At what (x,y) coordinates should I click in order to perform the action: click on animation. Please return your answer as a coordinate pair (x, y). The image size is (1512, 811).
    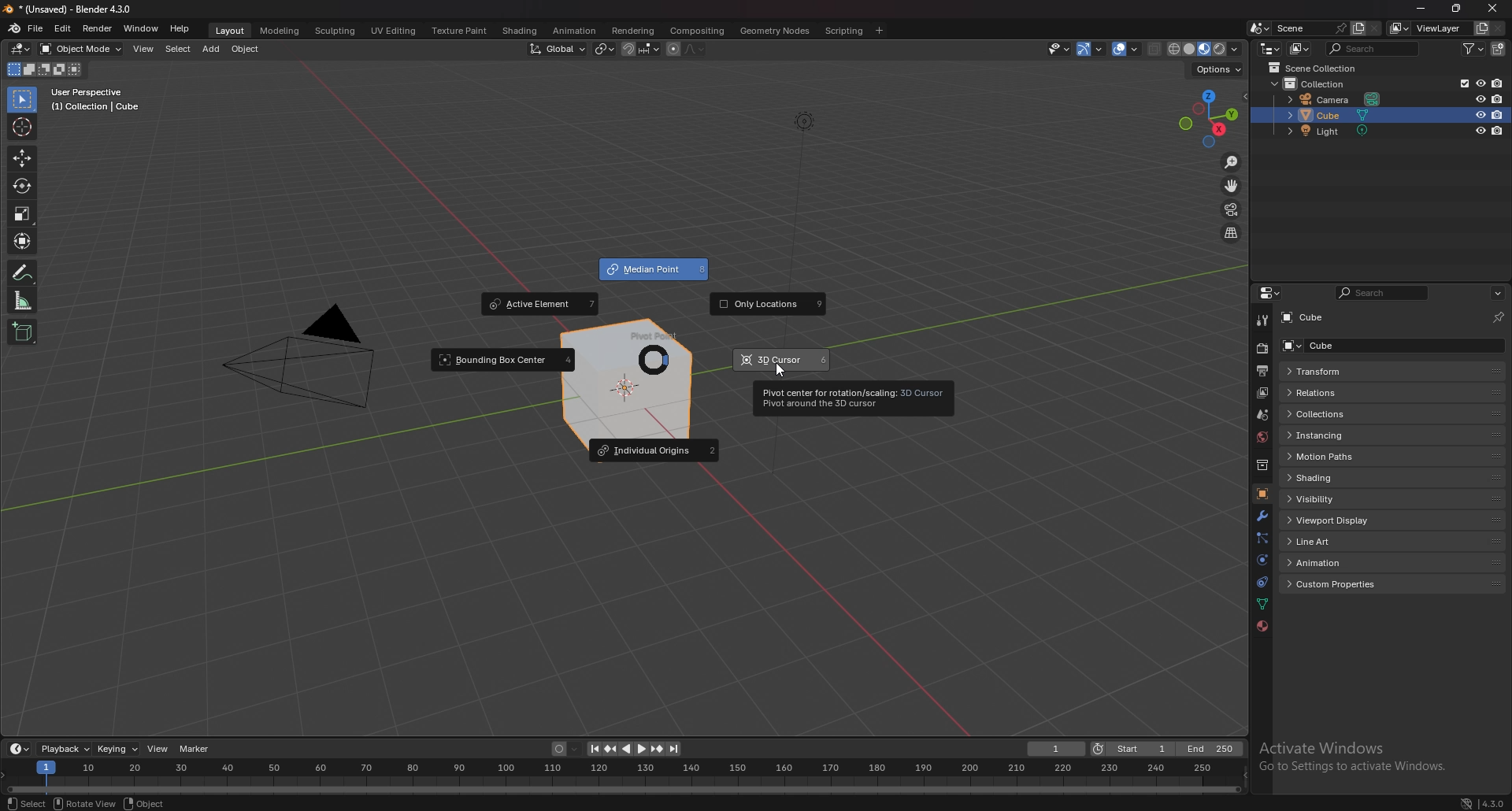
    Looking at the image, I should click on (1335, 562).